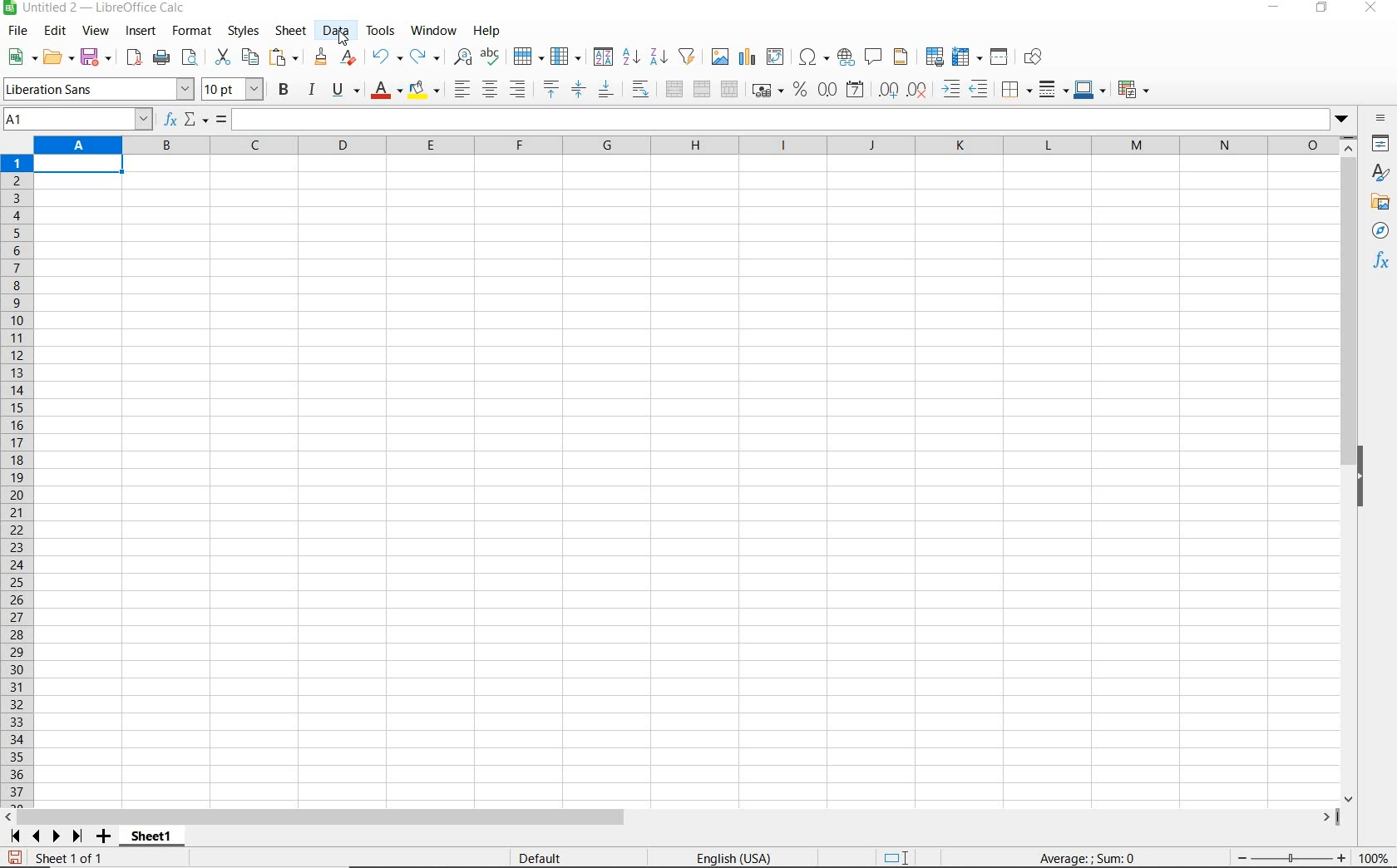 The width and height of the screenshot is (1397, 868). What do you see at coordinates (433, 28) in the screenshot?
I see `window` at bounding box center [433, 28].